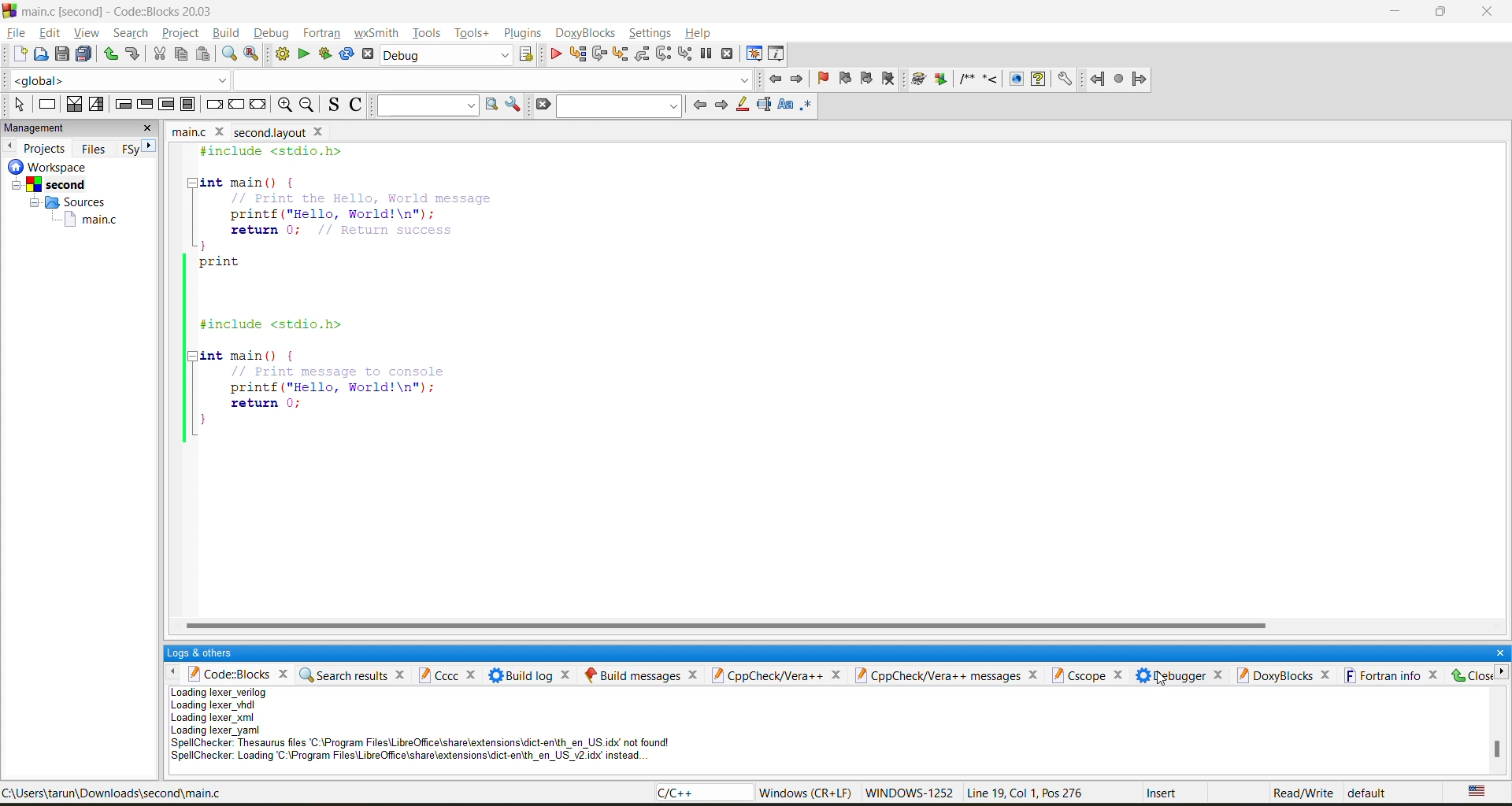 The width and height of the screenshot is (1512, 806). What do you see at coordinates (755, 54) in the screenshot?
I see `debugging windows` at bounding box center [755, 54].